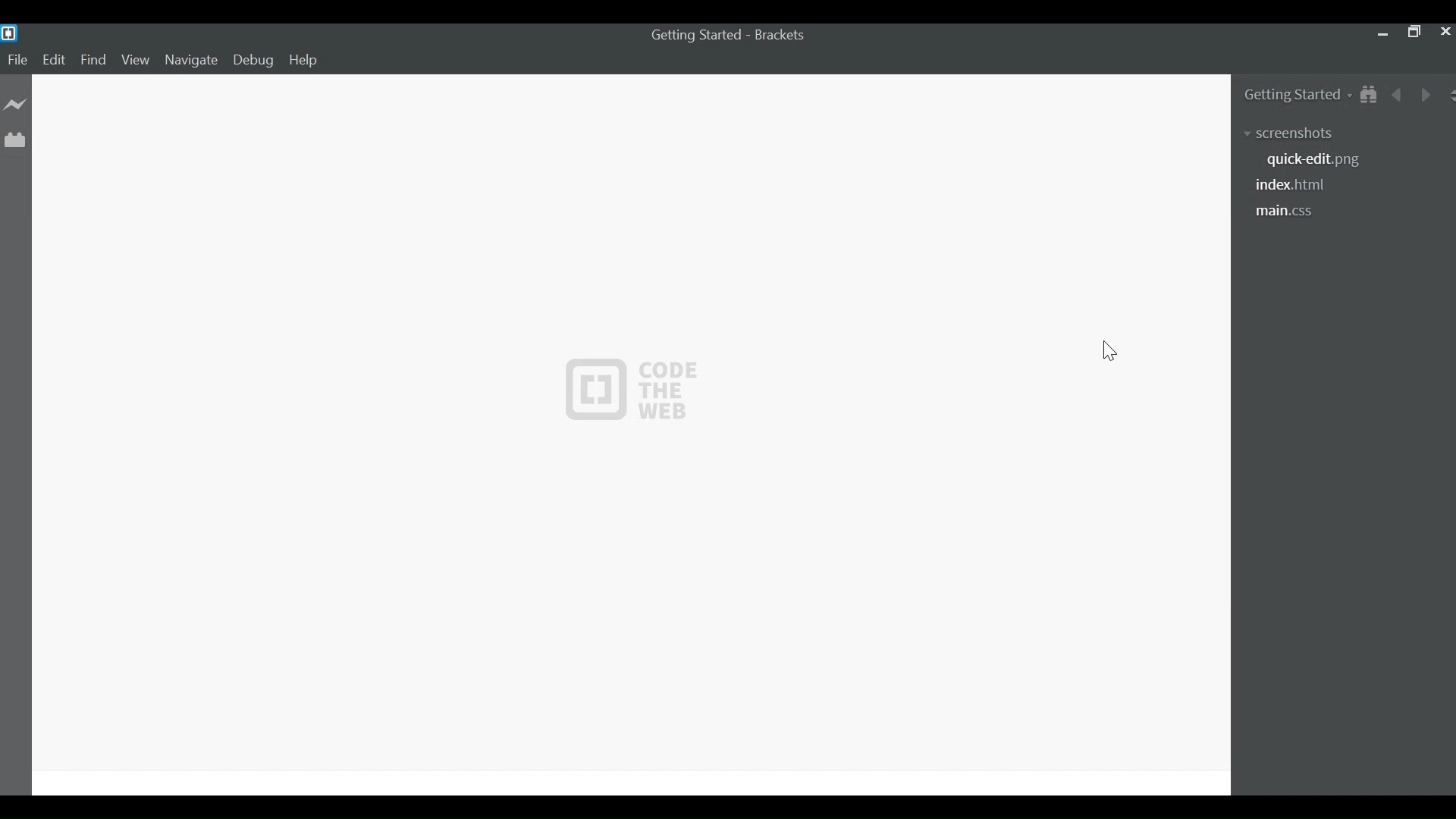 The height and width of the screenshot is (819, 1456). I want to click on screenshot, so click(1294, 134).